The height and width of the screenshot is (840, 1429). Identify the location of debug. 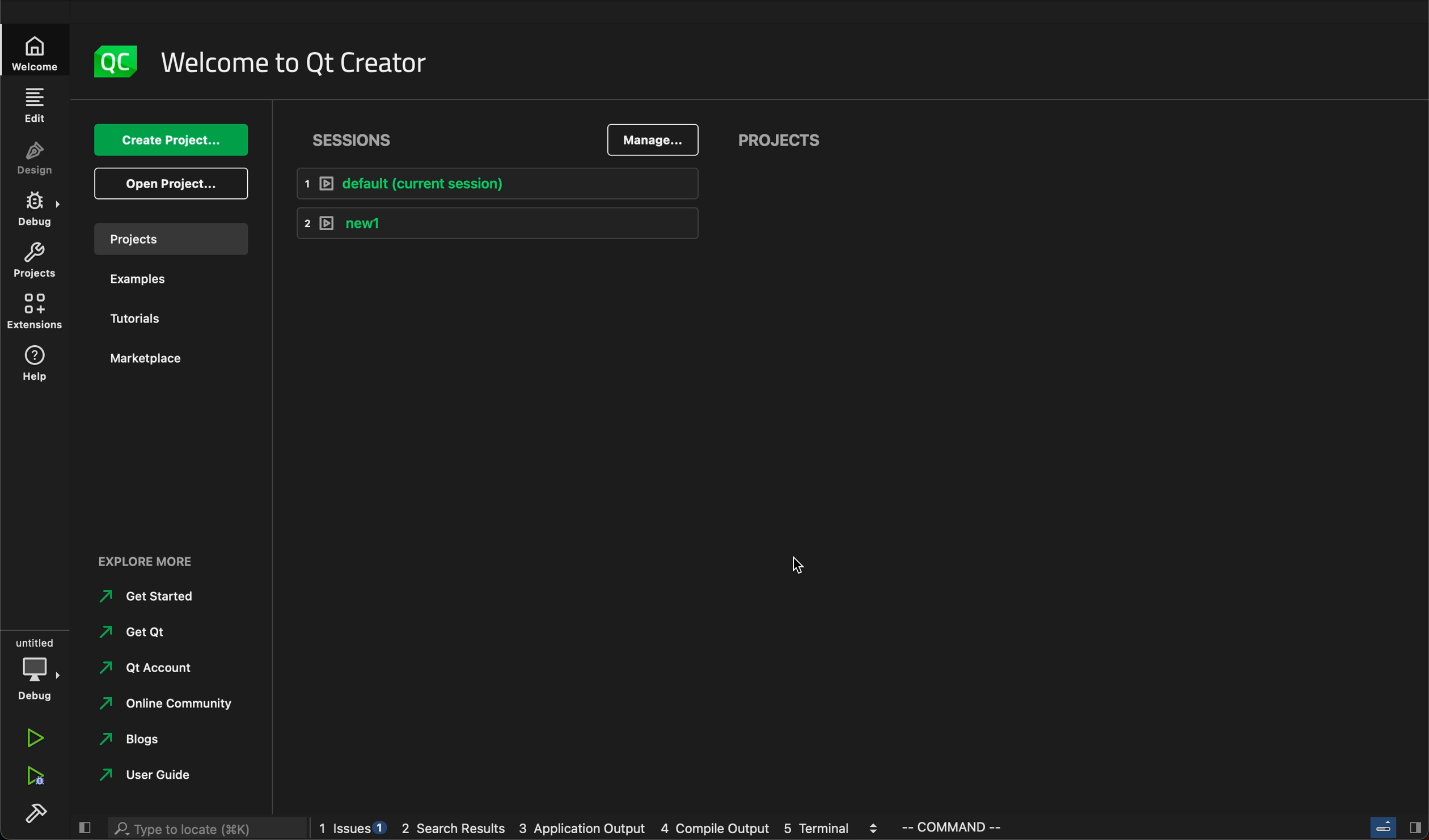
(36, 210).